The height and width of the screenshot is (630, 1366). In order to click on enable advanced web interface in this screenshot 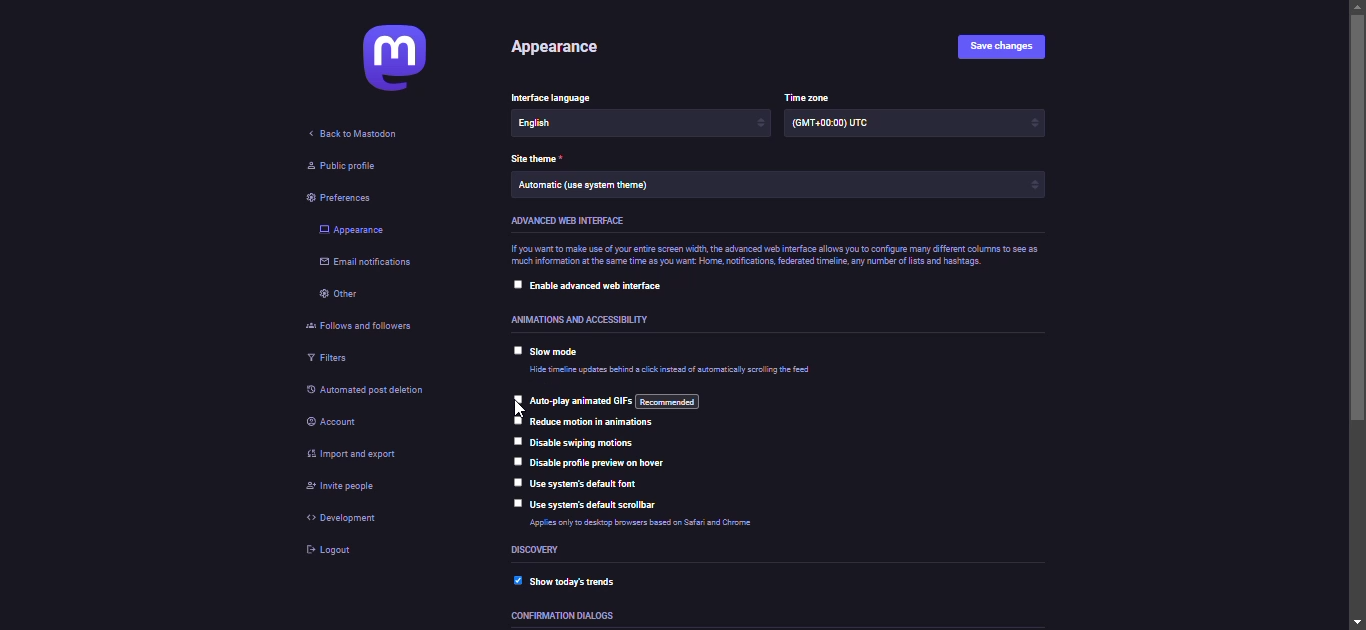, I will do `click(605, 287)`.